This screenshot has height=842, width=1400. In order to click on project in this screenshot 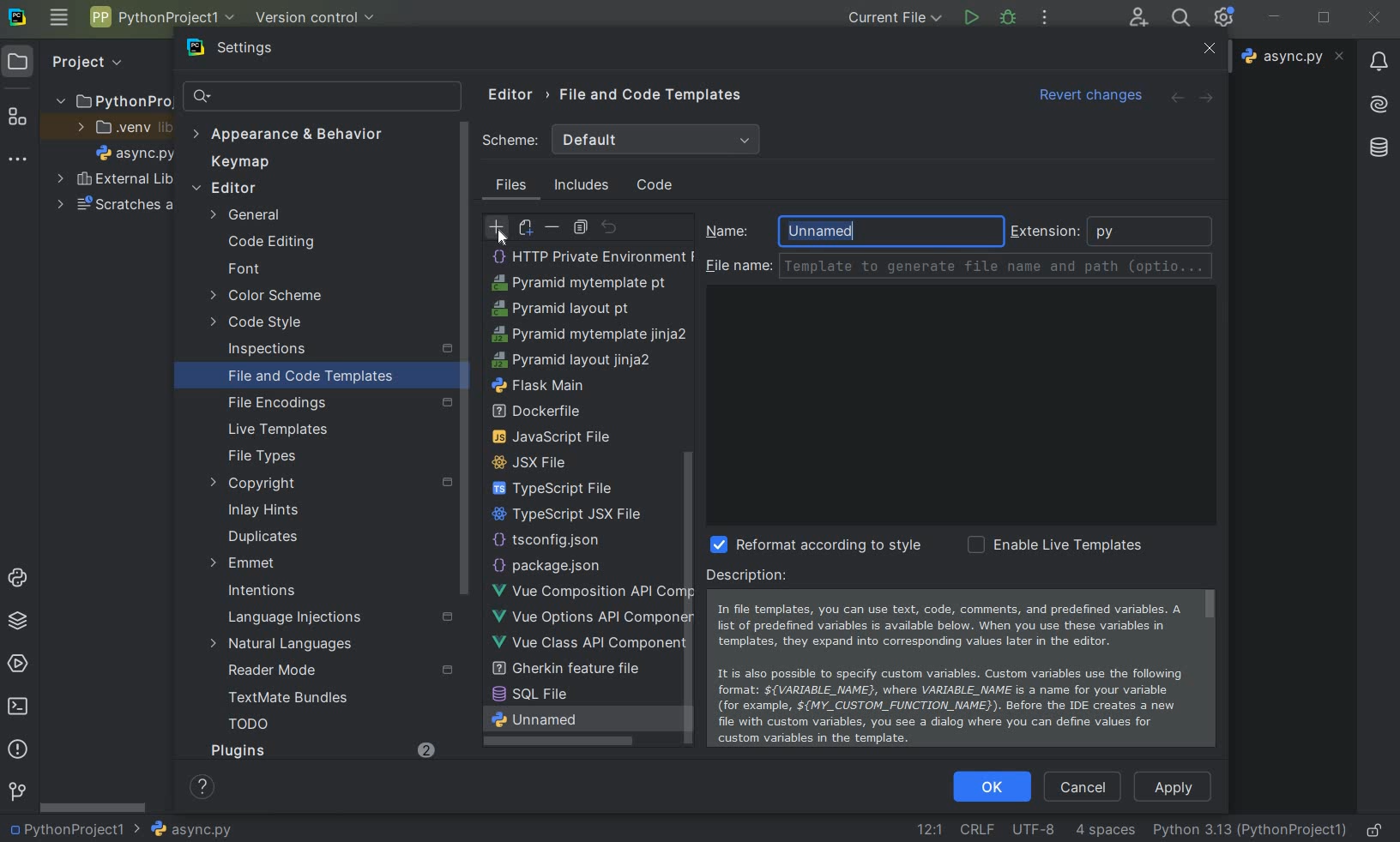, I will do `click(68, 61)`.